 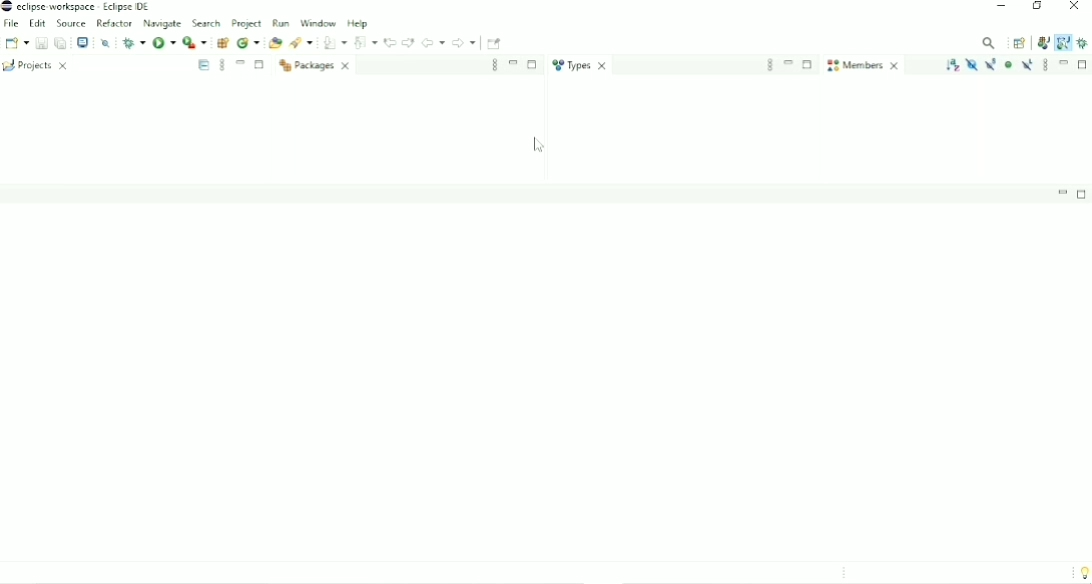 What do you see at coordinates (205, 22) in the screenshot?
I see `Search` at bounding box center [205, 22].